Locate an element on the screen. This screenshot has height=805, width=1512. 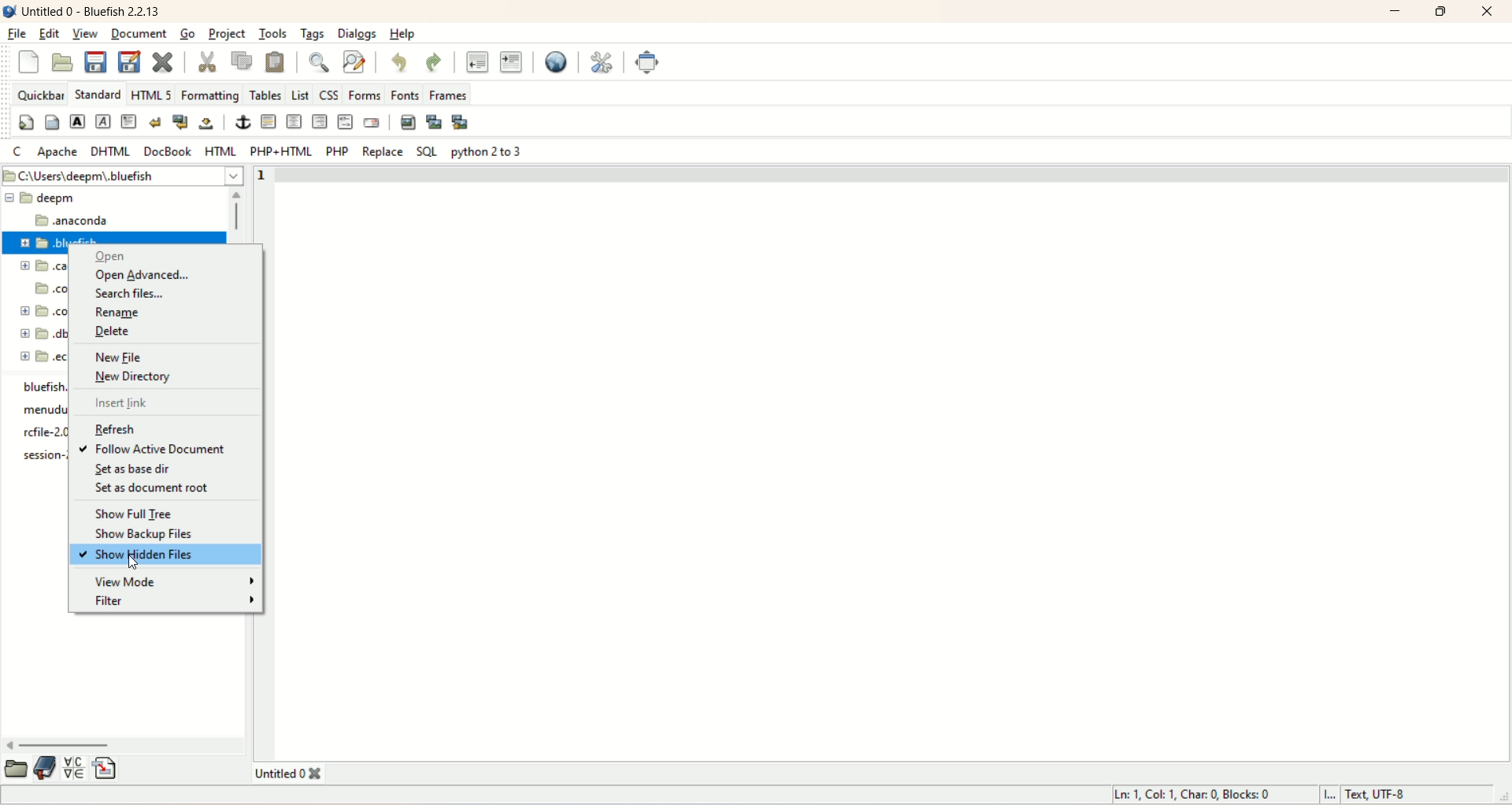
edit is located at coordinates (48, 35).